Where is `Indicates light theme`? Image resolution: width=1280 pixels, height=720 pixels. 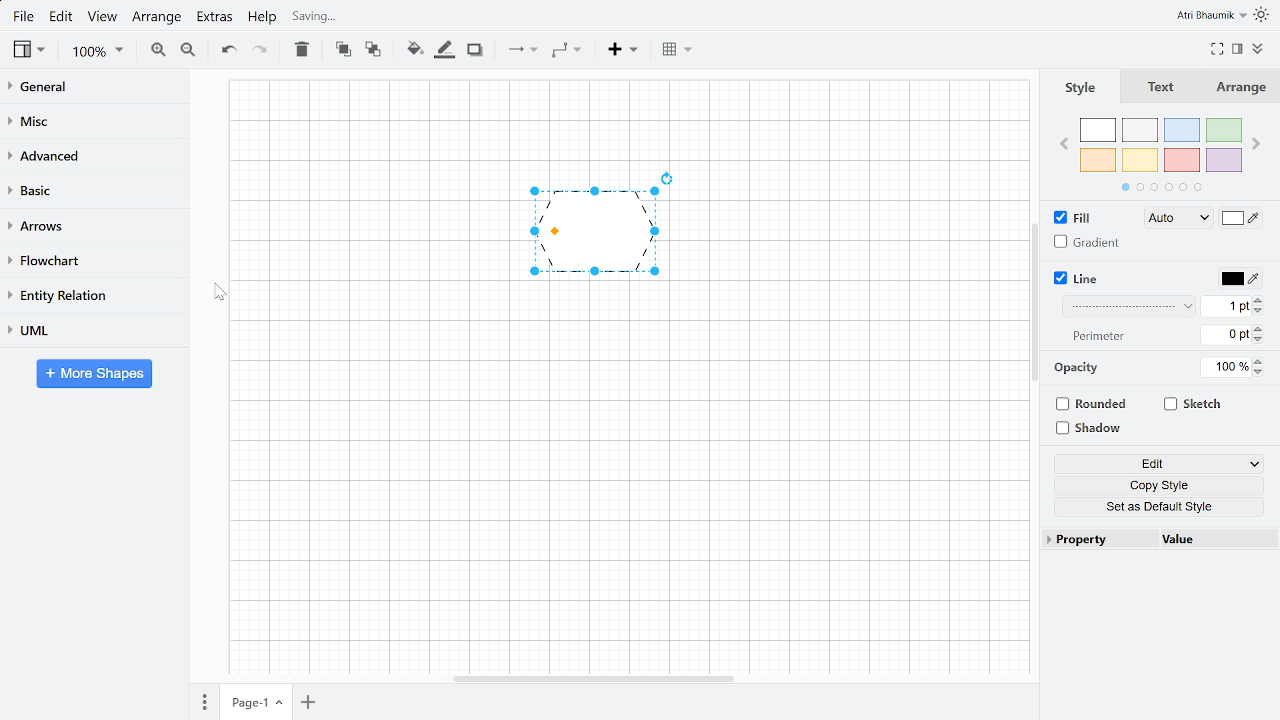
Indicates light theme is located at coordinates (1264, 16).